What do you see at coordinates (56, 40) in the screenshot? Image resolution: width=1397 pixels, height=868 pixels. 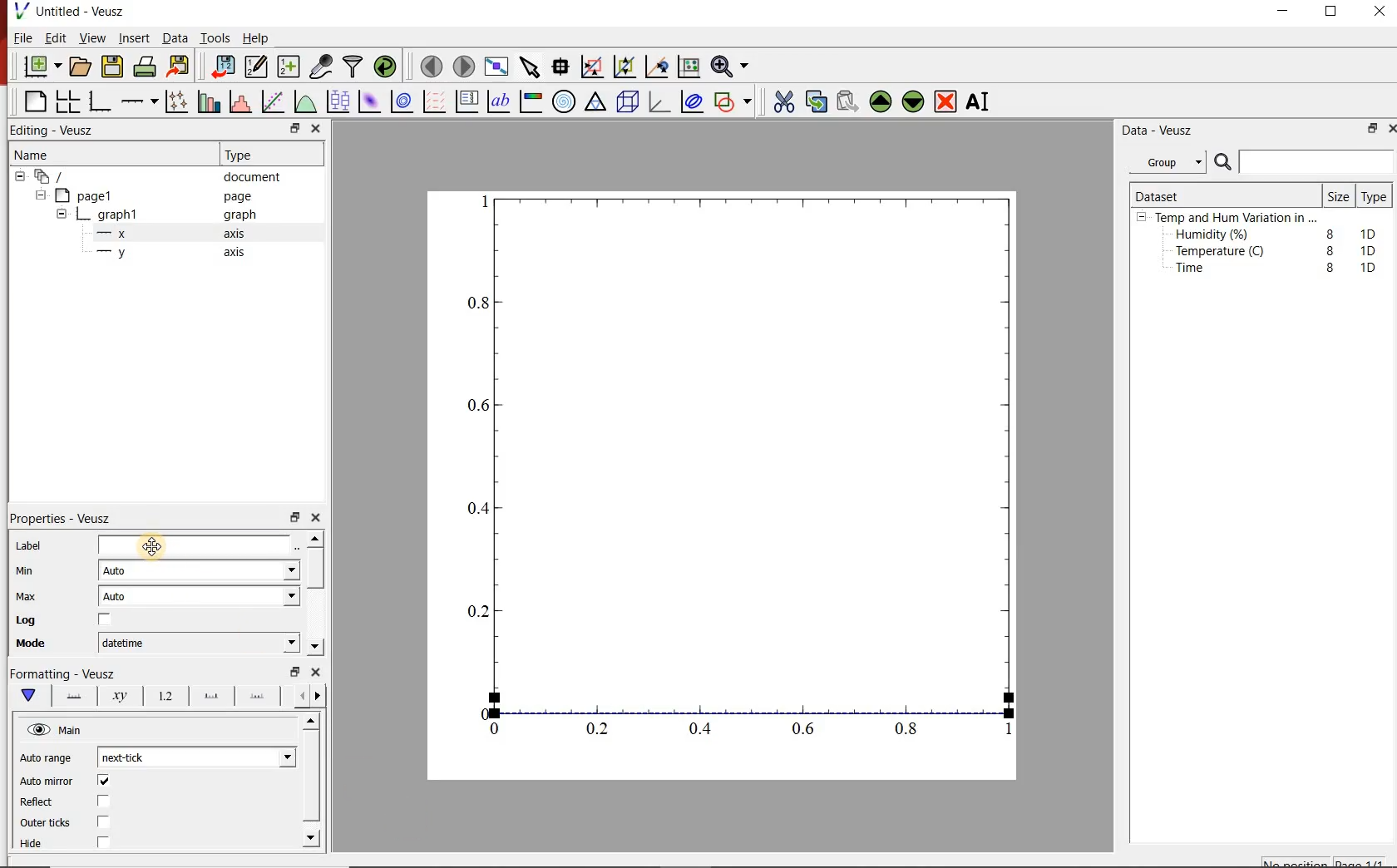 I see `Edit` at bounding box center [56, 40].